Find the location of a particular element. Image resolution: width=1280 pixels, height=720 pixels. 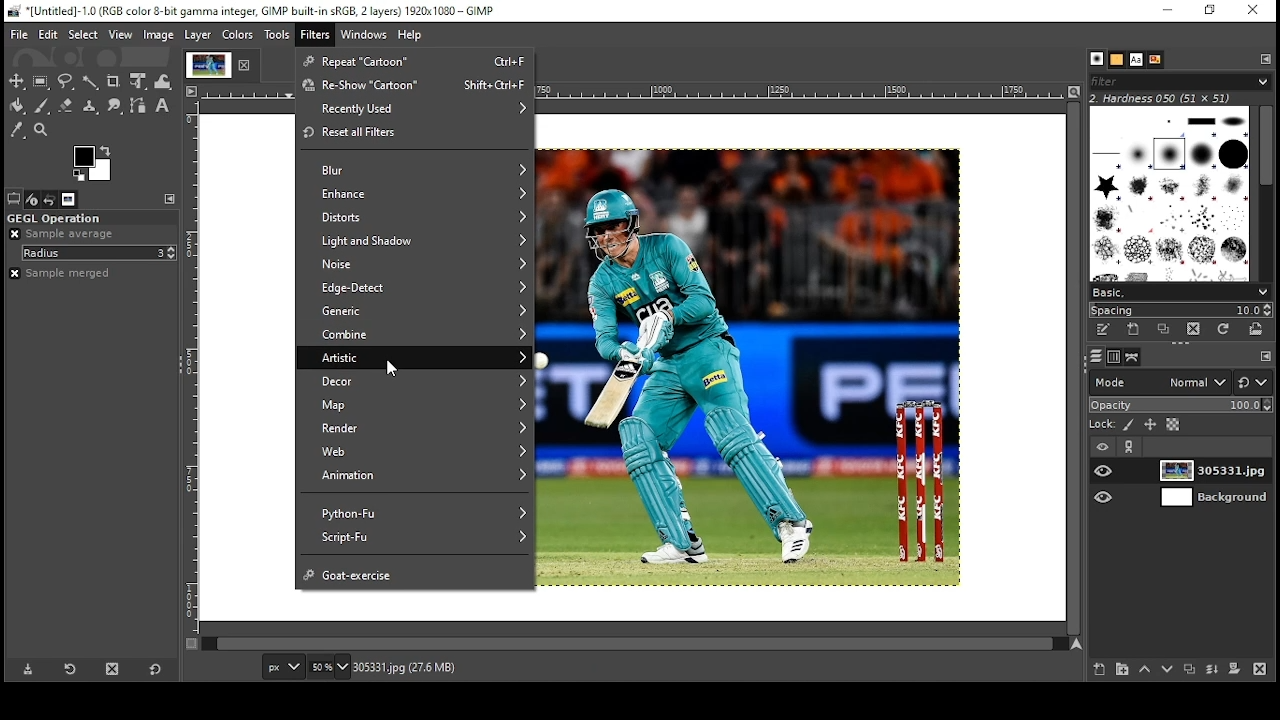

map is located at coordinates (417, 404).